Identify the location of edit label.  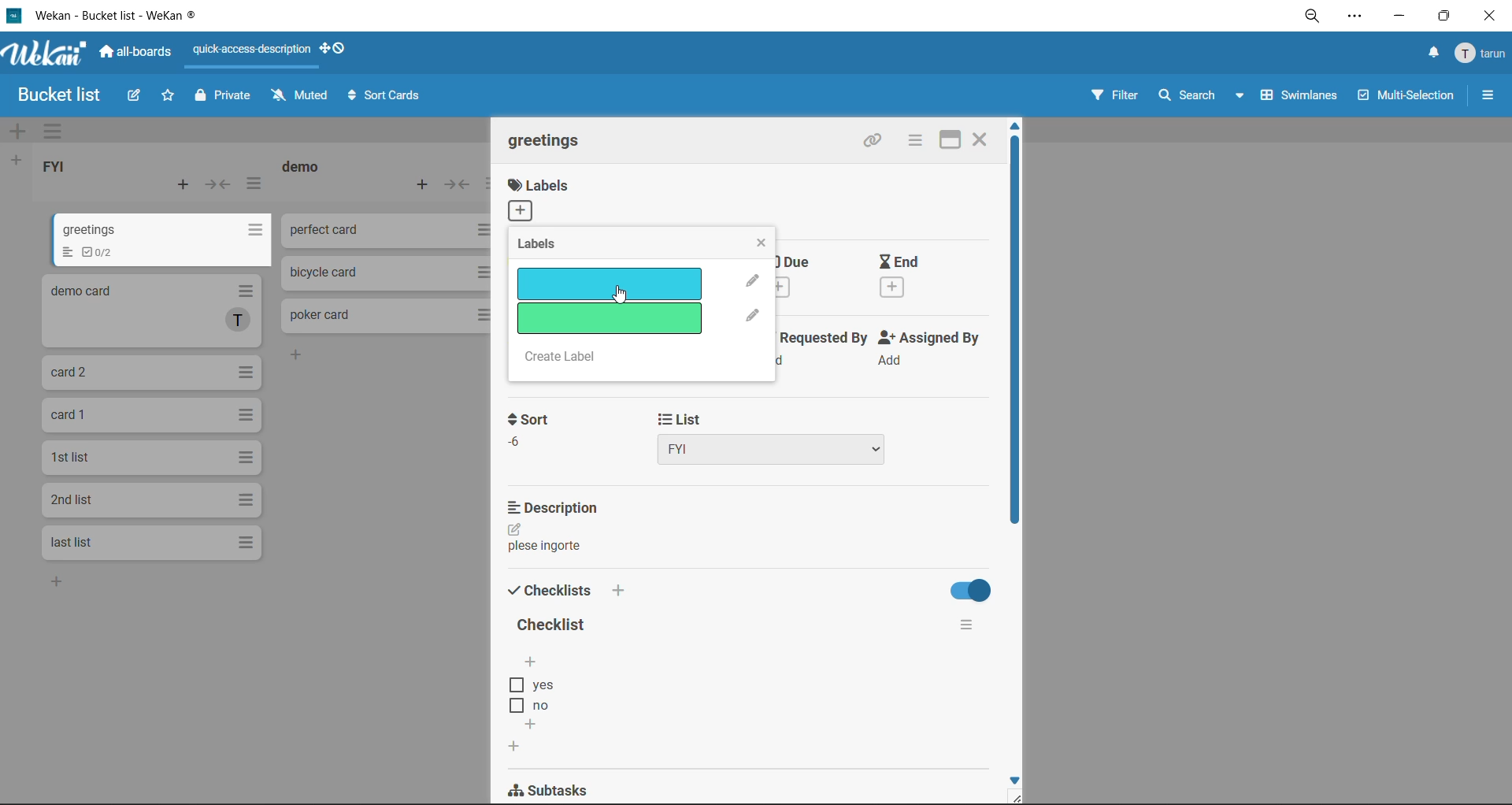
(751, 280).